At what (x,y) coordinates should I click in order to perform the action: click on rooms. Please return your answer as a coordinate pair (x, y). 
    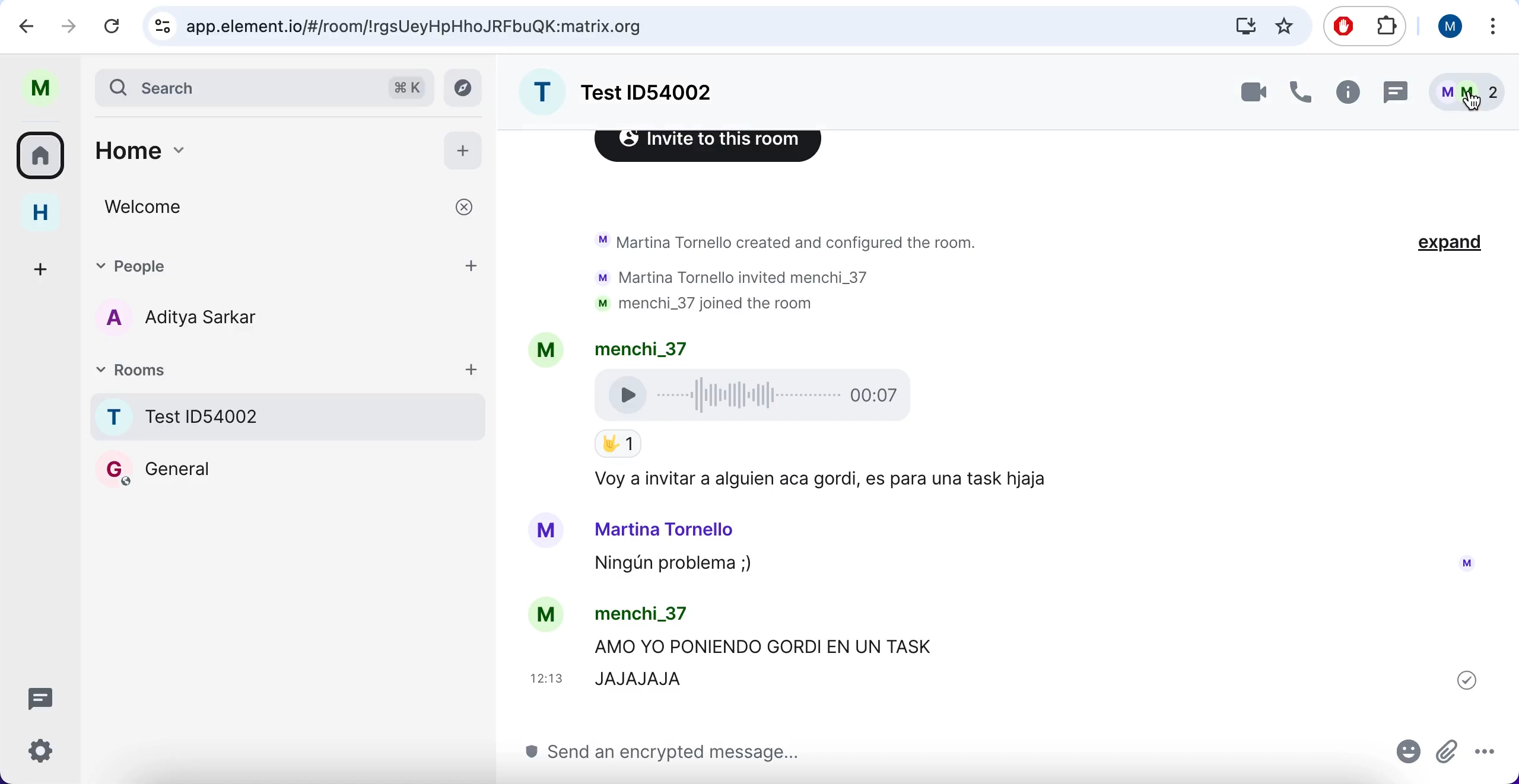
    Looking at the image, I should click on (45, 157).